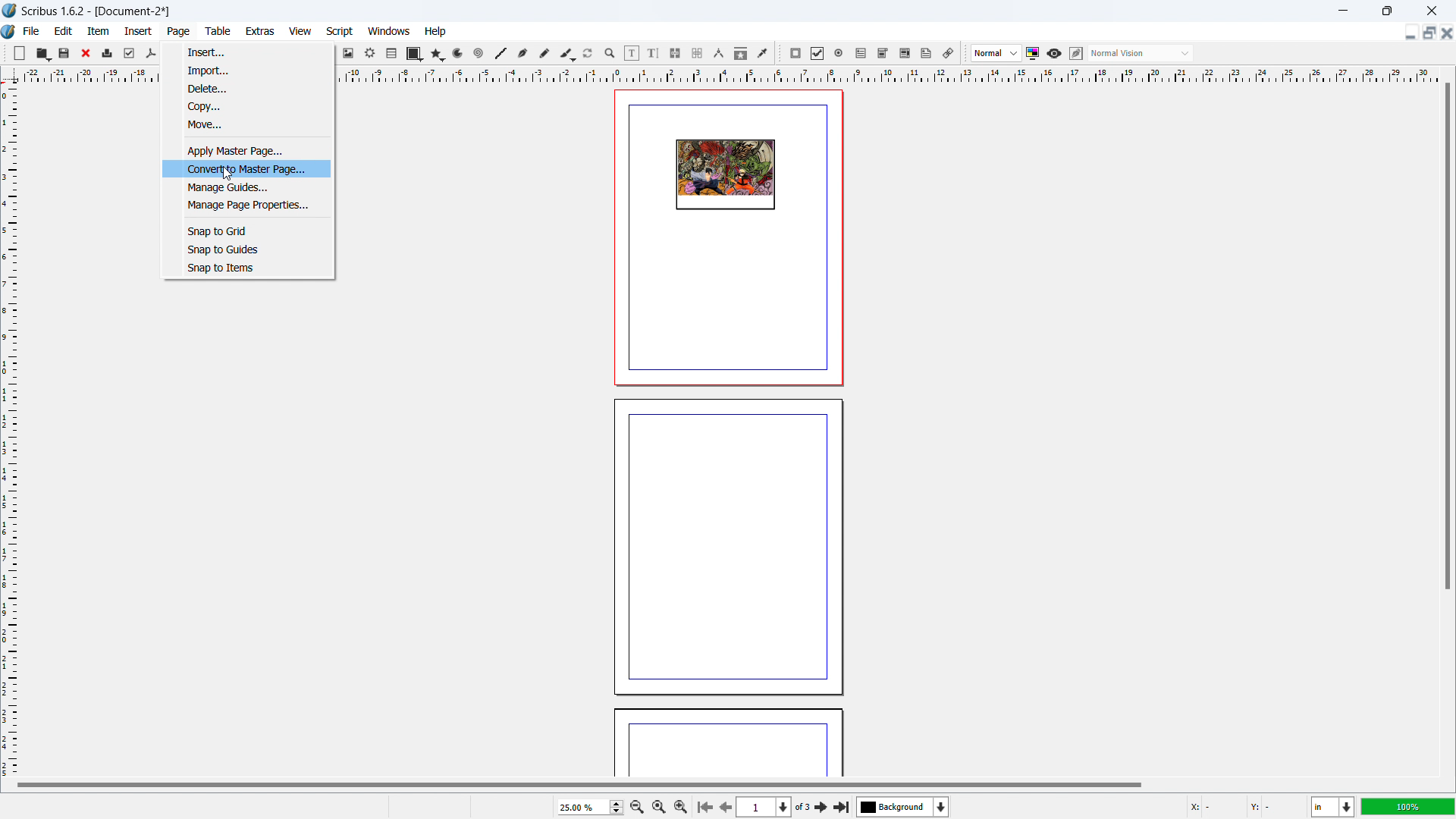 This screenshot has height=819, width=1456. Describe the element at coordinates (949, 53) in the screenshot. I see `link annotation` at that location.